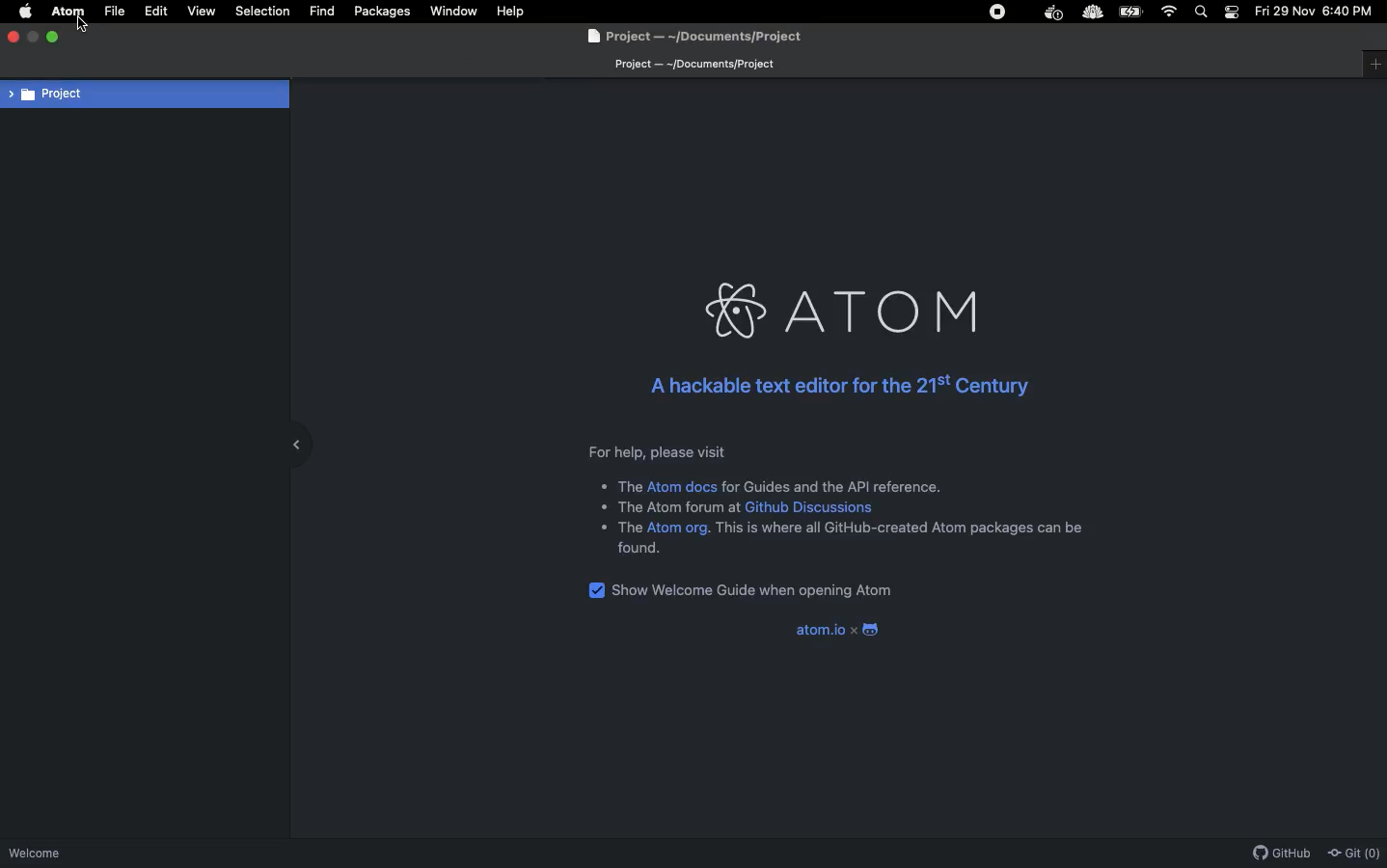 The height and width of the screenshot is (868, 1387). What do you see at coordinates (832, 632) in the screenshot?
I see `atom.io x android ` at bounding box center [832, 632].